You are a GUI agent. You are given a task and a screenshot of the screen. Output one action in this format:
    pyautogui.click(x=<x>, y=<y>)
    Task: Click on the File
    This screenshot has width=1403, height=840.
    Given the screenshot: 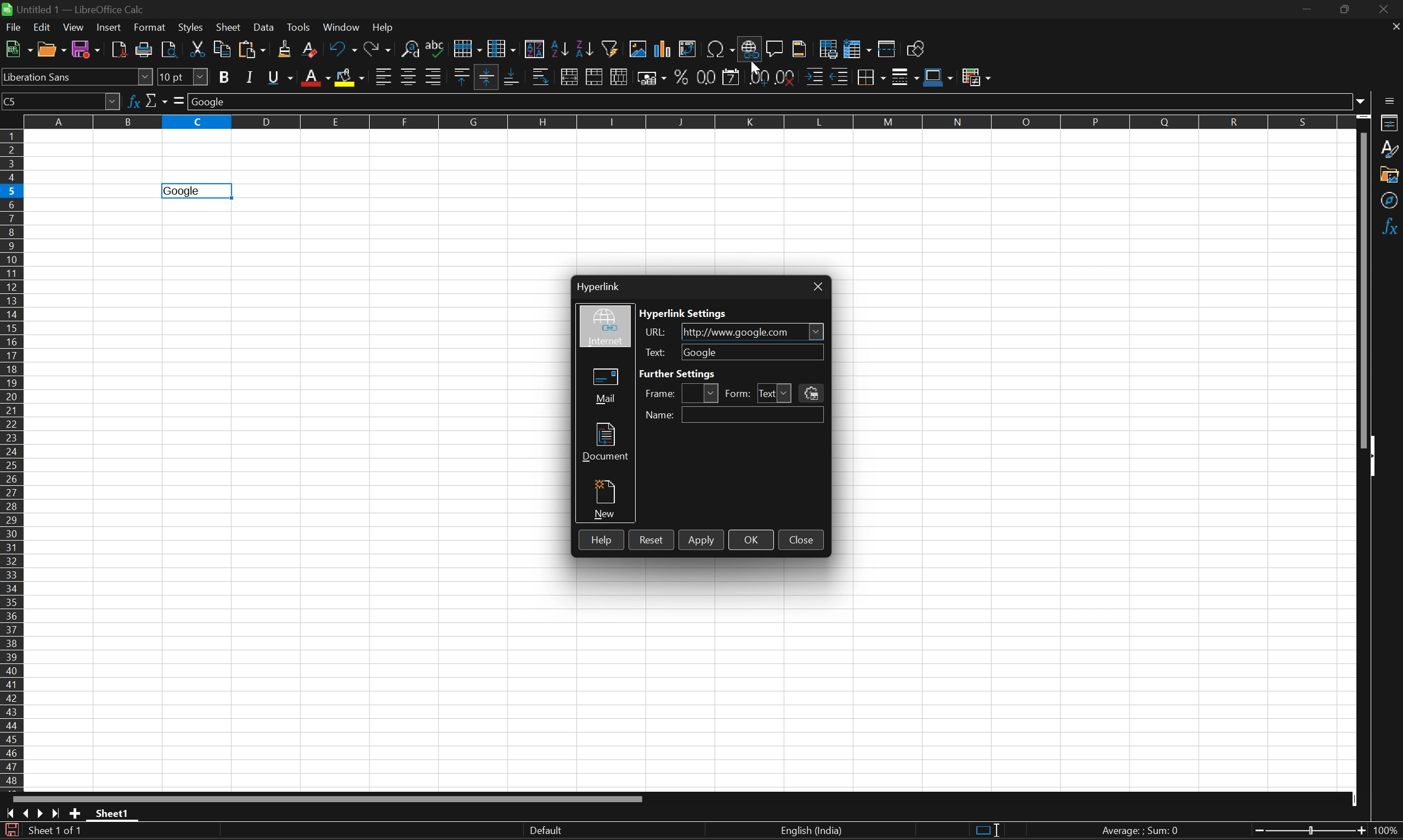 What is the action you would take?
    pyautogui.click(x=14, y=27)
    